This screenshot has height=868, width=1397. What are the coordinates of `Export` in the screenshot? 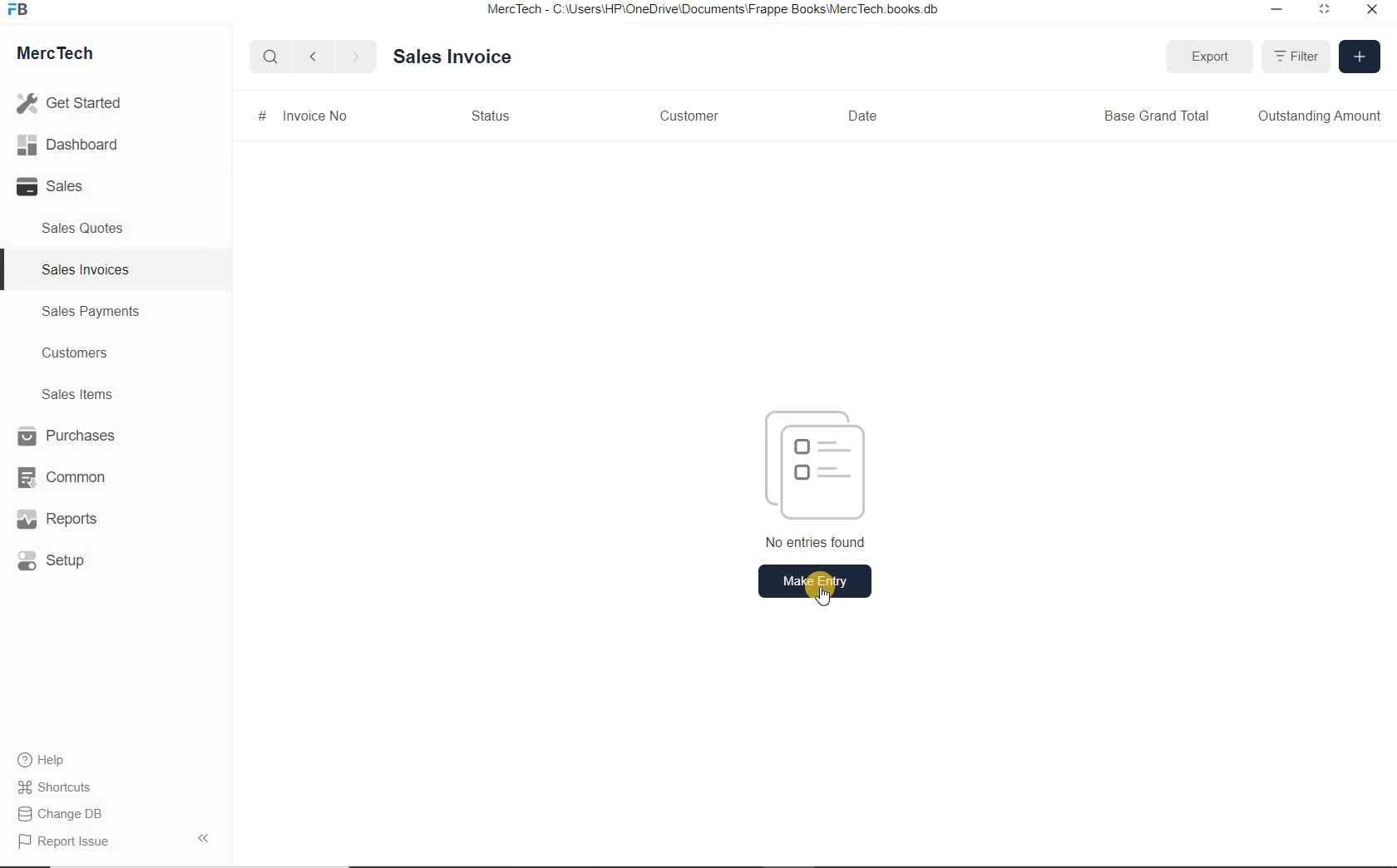 It's located at (1209, 57).